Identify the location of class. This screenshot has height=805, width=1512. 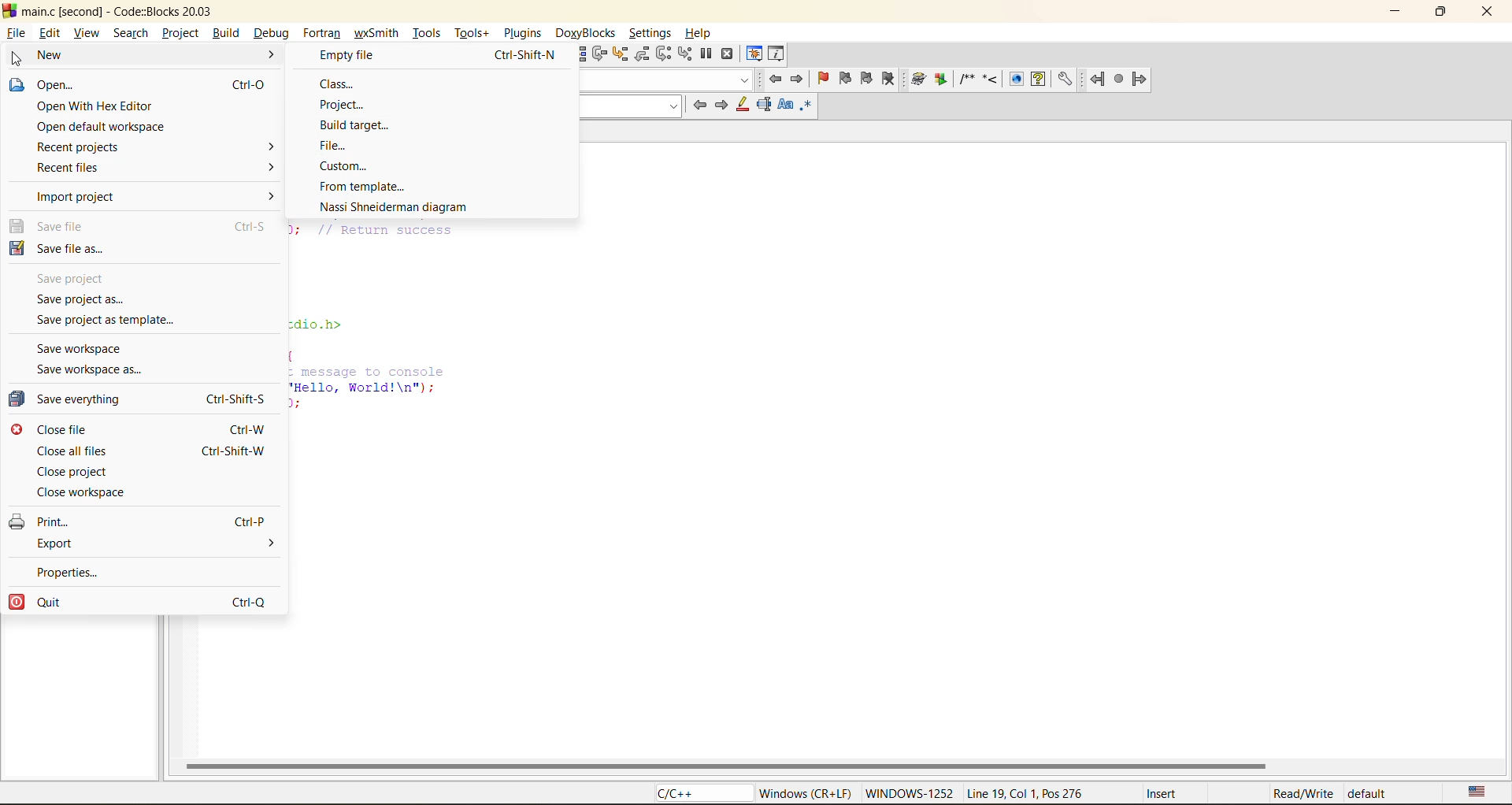
(356, 82).